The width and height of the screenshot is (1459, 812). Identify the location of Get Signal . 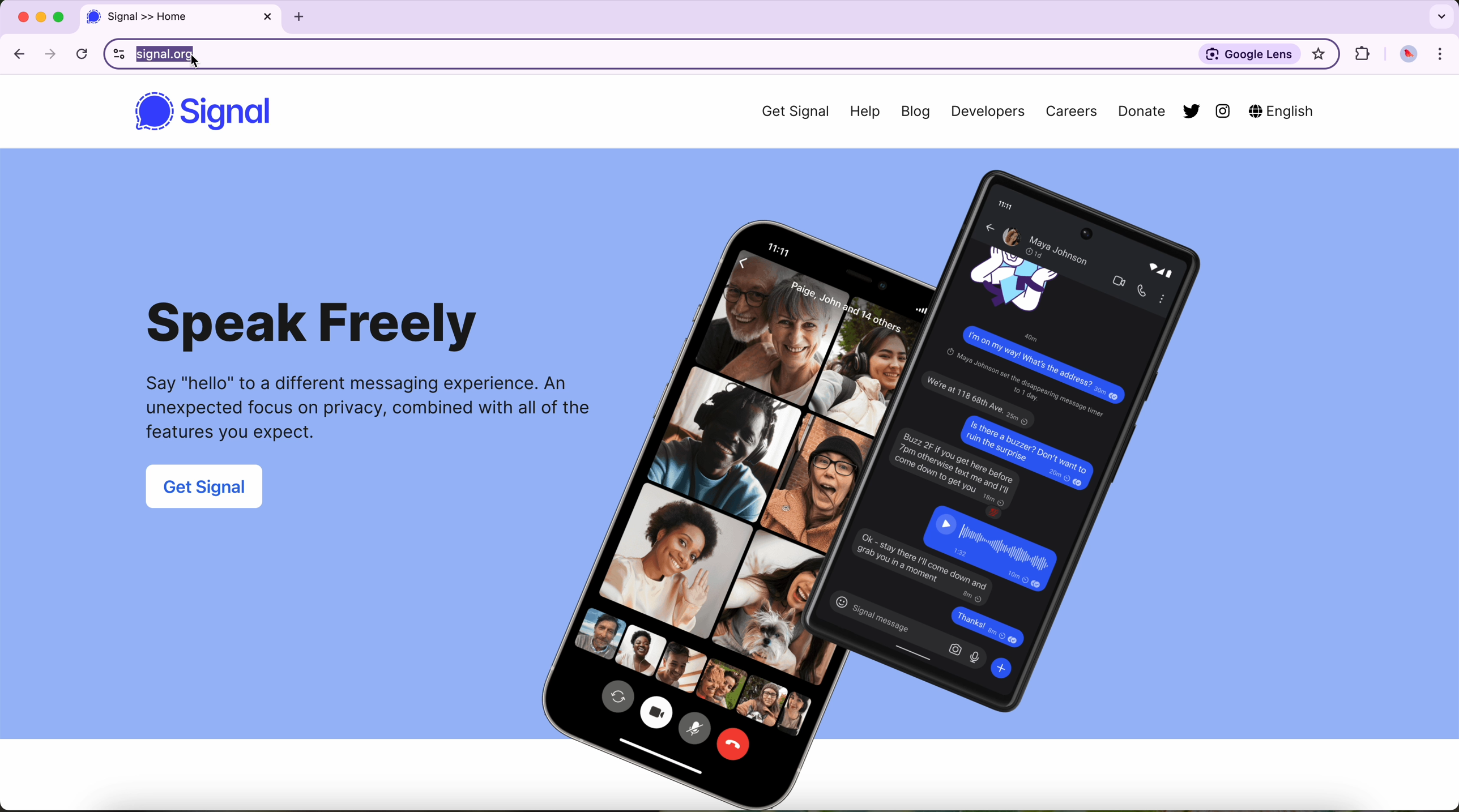
(207, 489).